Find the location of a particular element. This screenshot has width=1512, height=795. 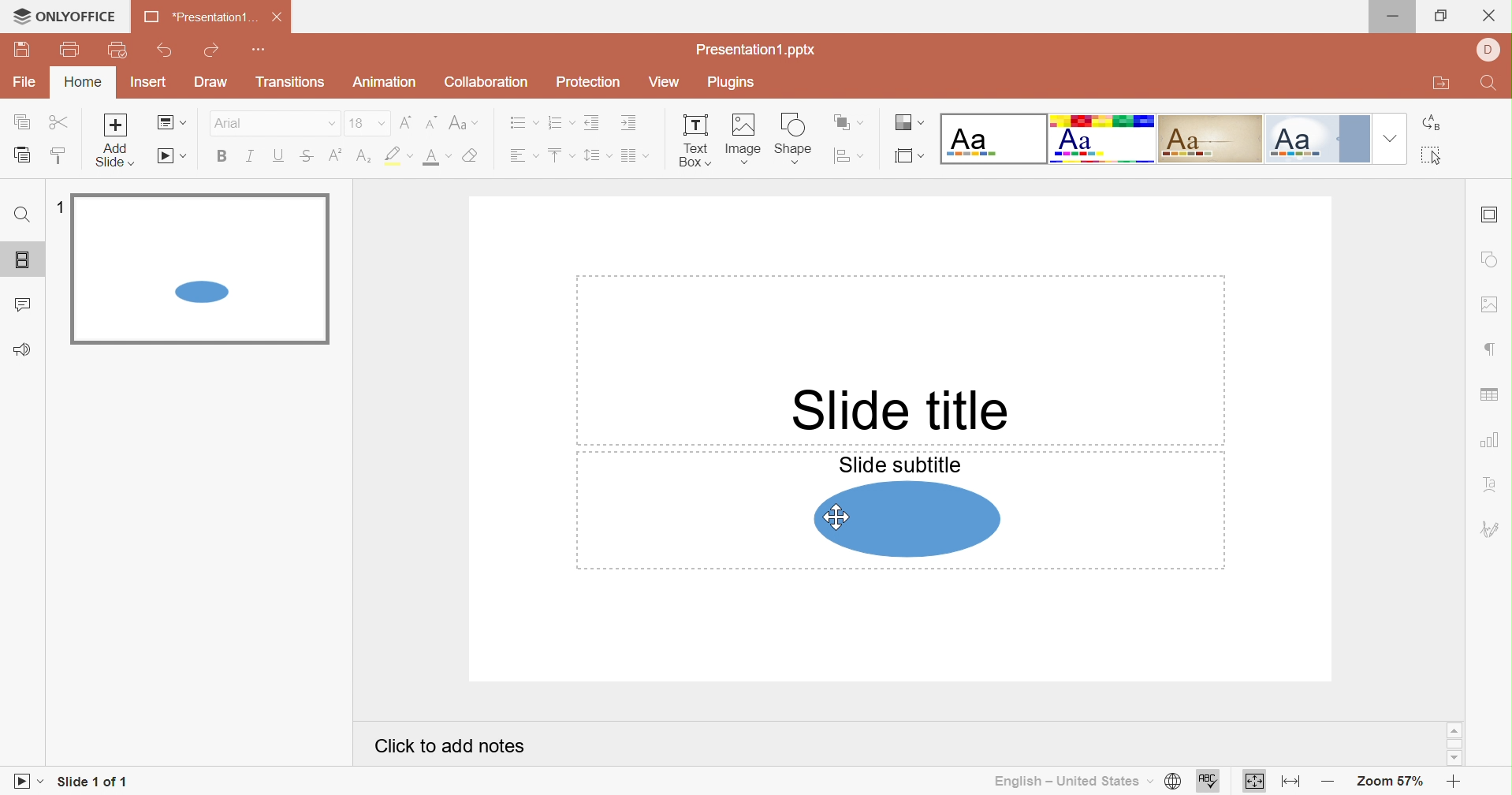

Feedback & Support is located at coordinates (27, 349).